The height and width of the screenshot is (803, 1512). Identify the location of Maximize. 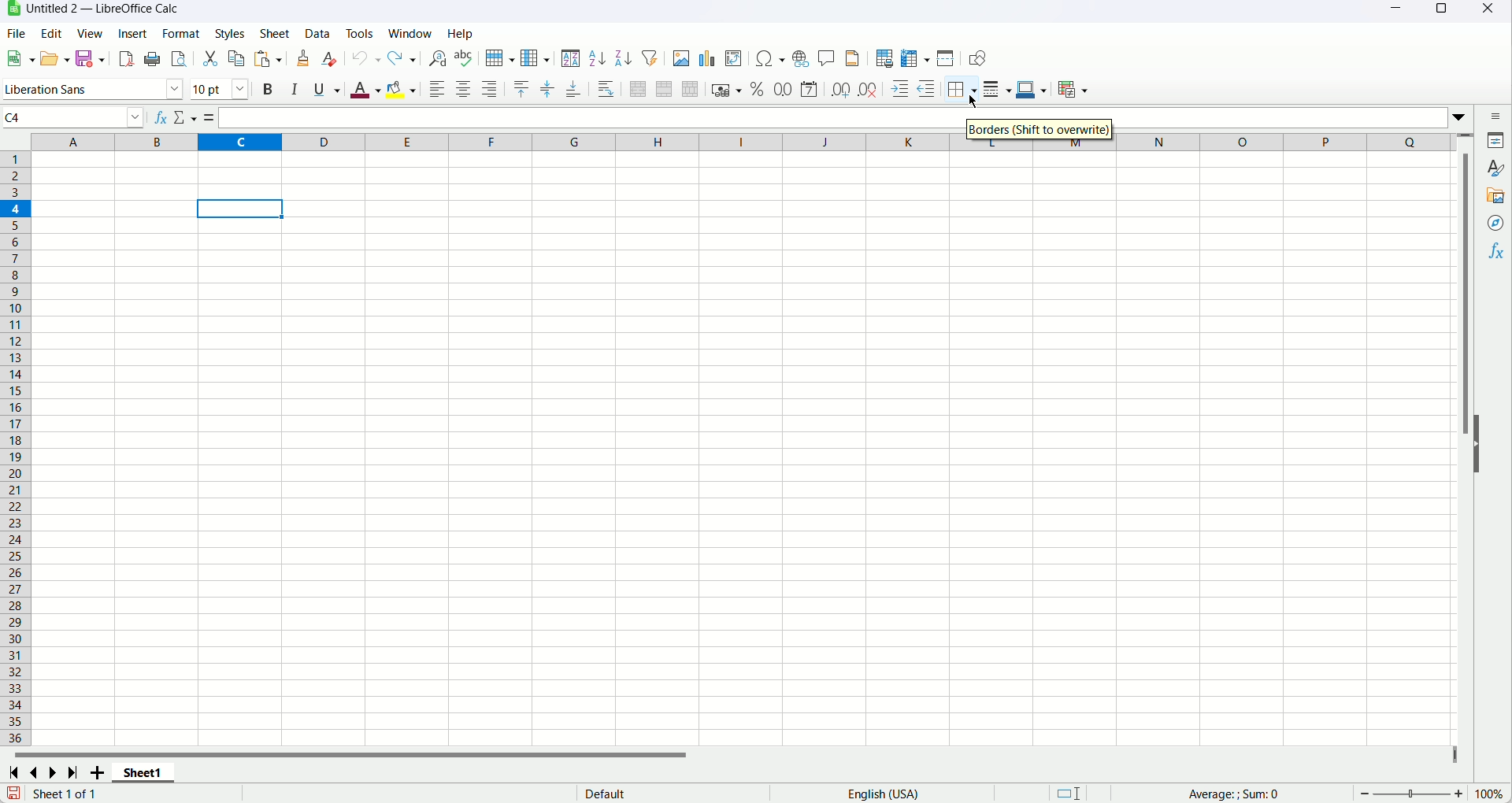
(1440, 12).